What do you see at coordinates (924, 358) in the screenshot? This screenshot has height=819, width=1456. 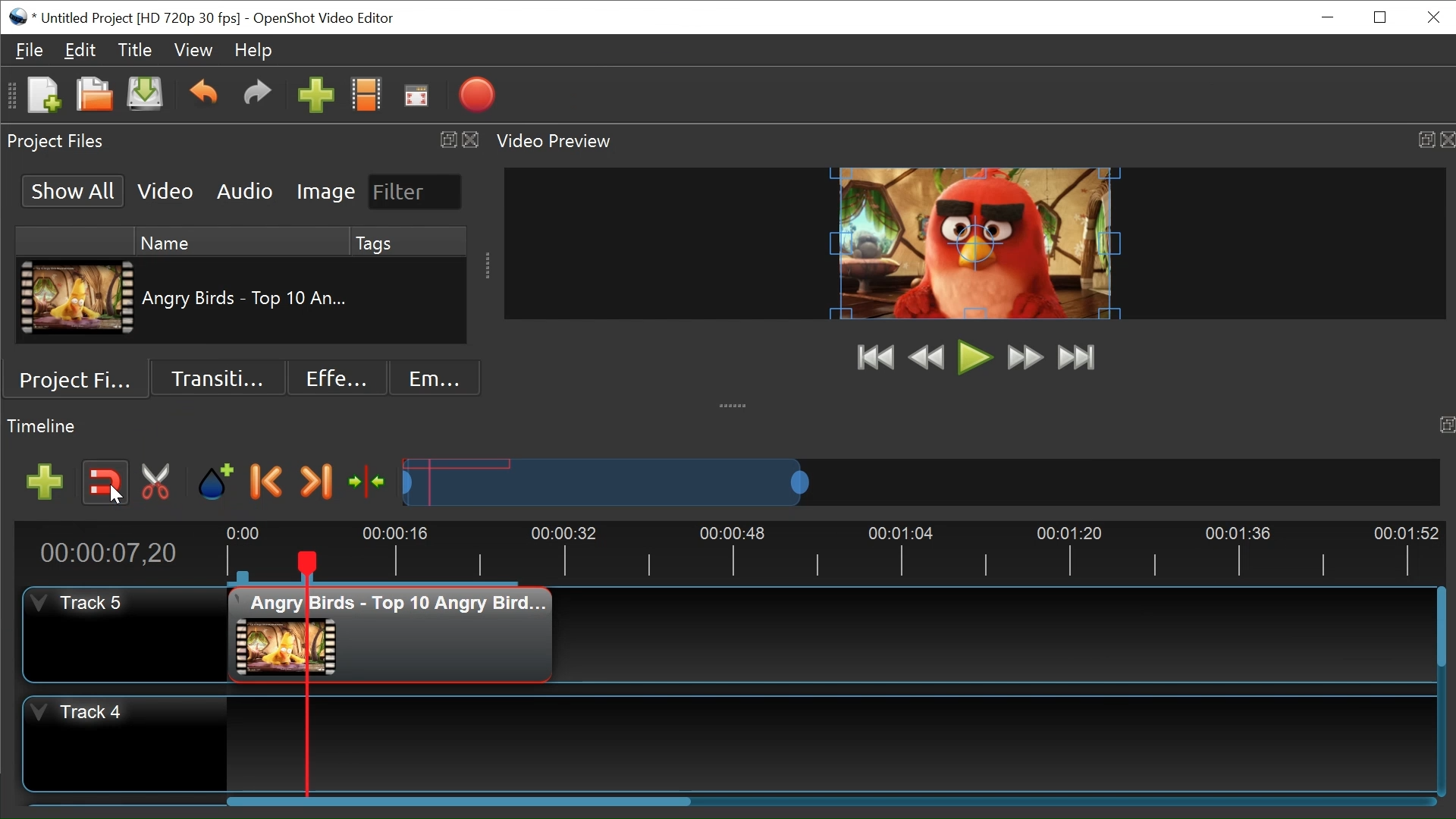 I see `Rewind` at bounding box center [924, 358].